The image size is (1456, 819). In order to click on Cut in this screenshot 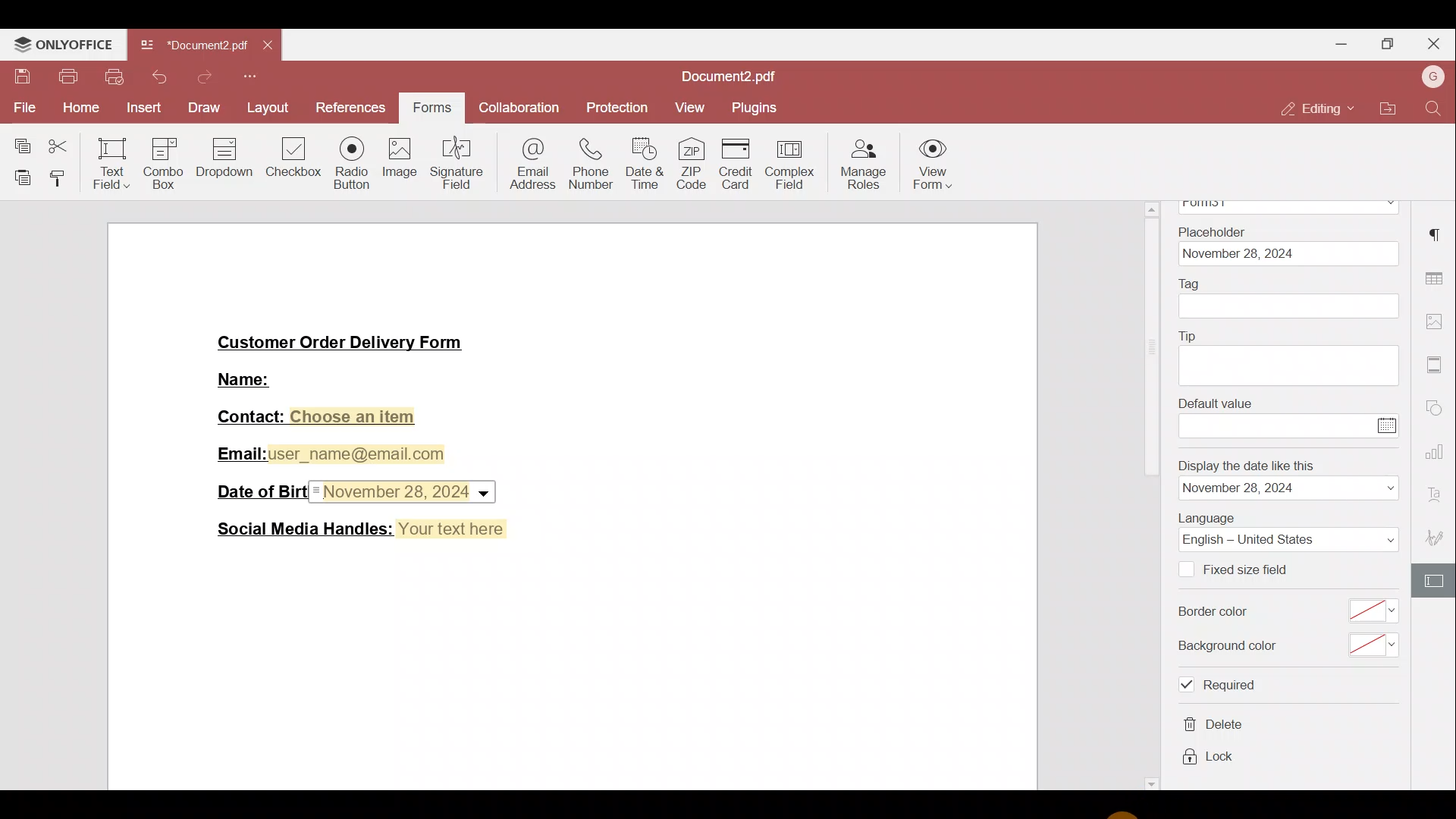, I will do `click(62, 143)`.